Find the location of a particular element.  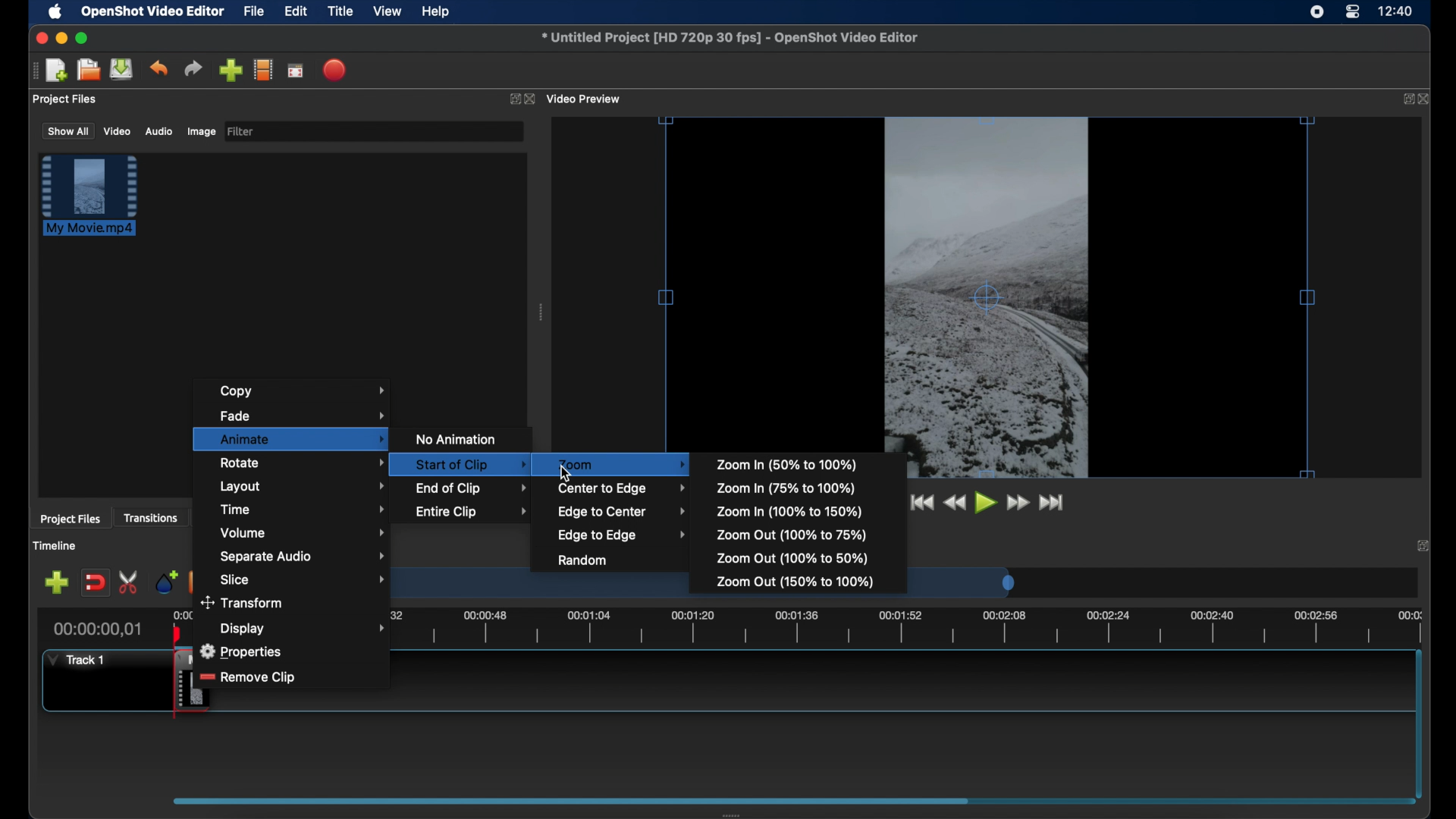

separate audio menu is located at coordinates (303, 557).